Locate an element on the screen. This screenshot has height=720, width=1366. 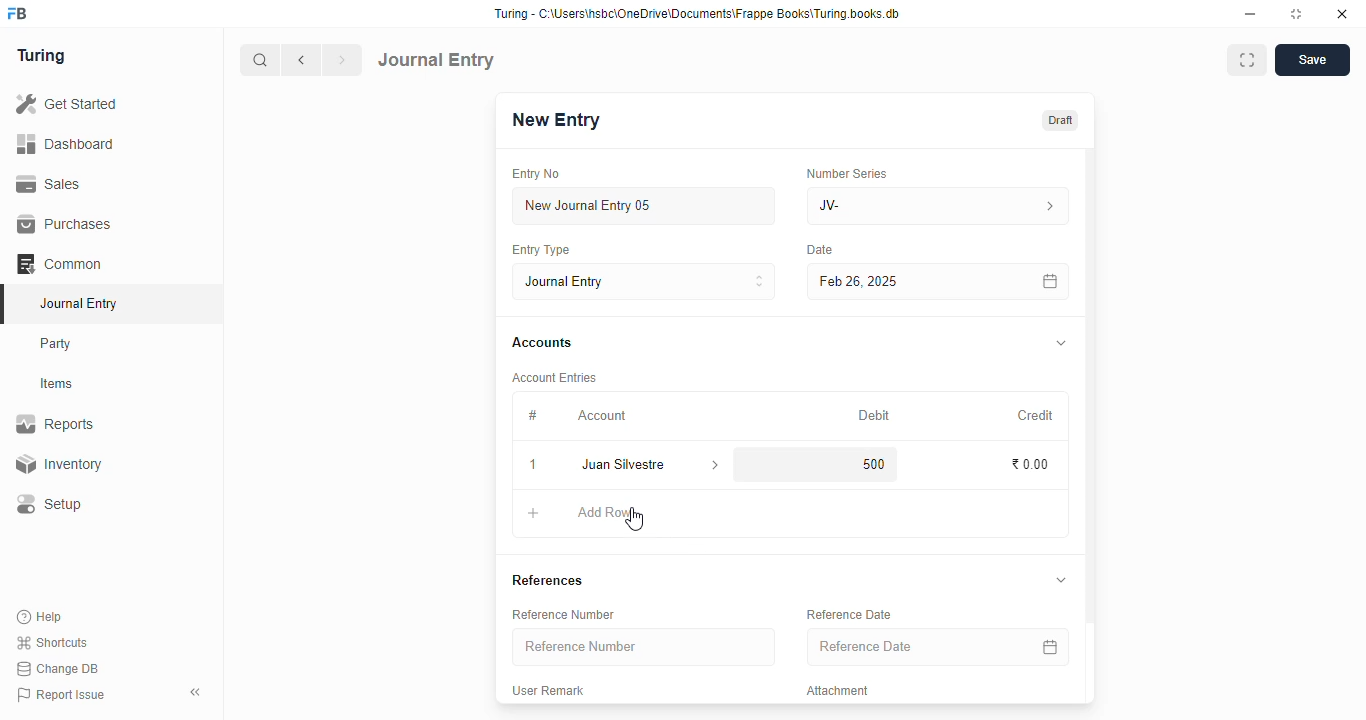
shortcuts is located at coordinates (52, 643).